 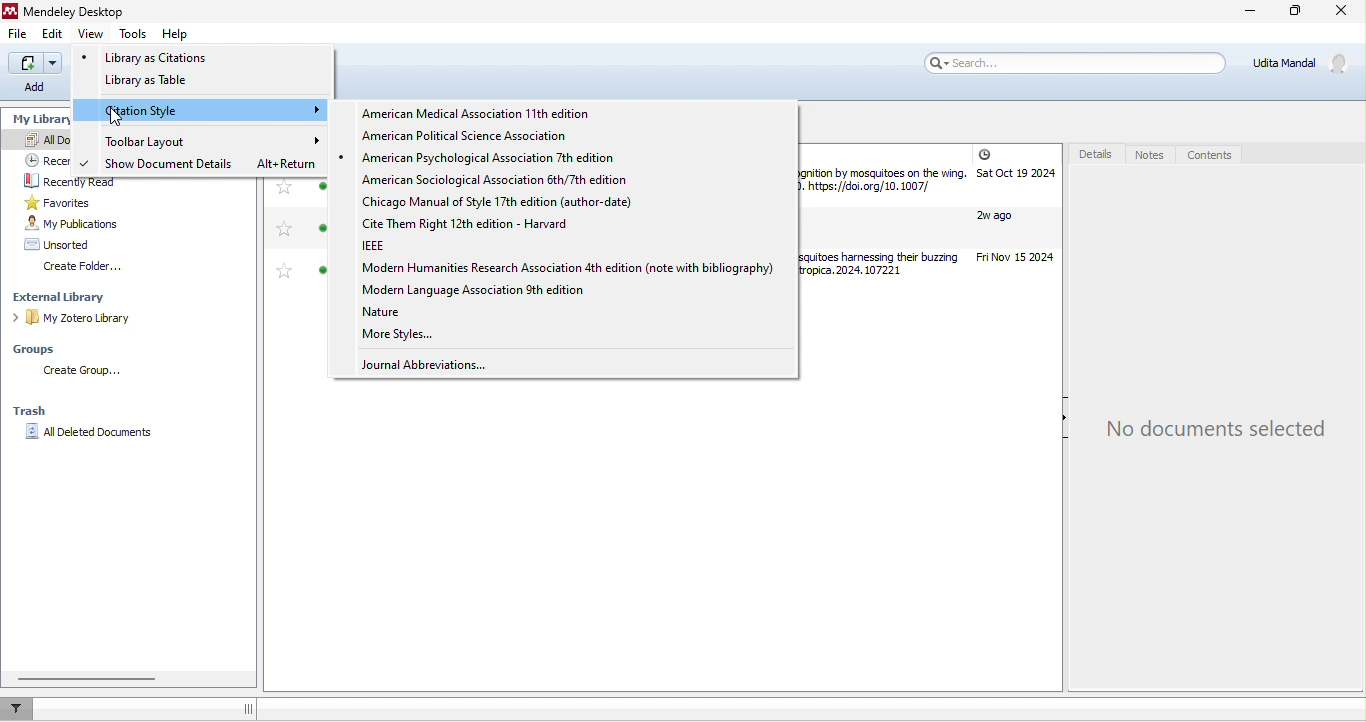 What do you see at coordinates (504, 181) in the screenshot?
I see `Amerncan Sociological Association 6th/ 7th edition` at bounding box center [504, 181].